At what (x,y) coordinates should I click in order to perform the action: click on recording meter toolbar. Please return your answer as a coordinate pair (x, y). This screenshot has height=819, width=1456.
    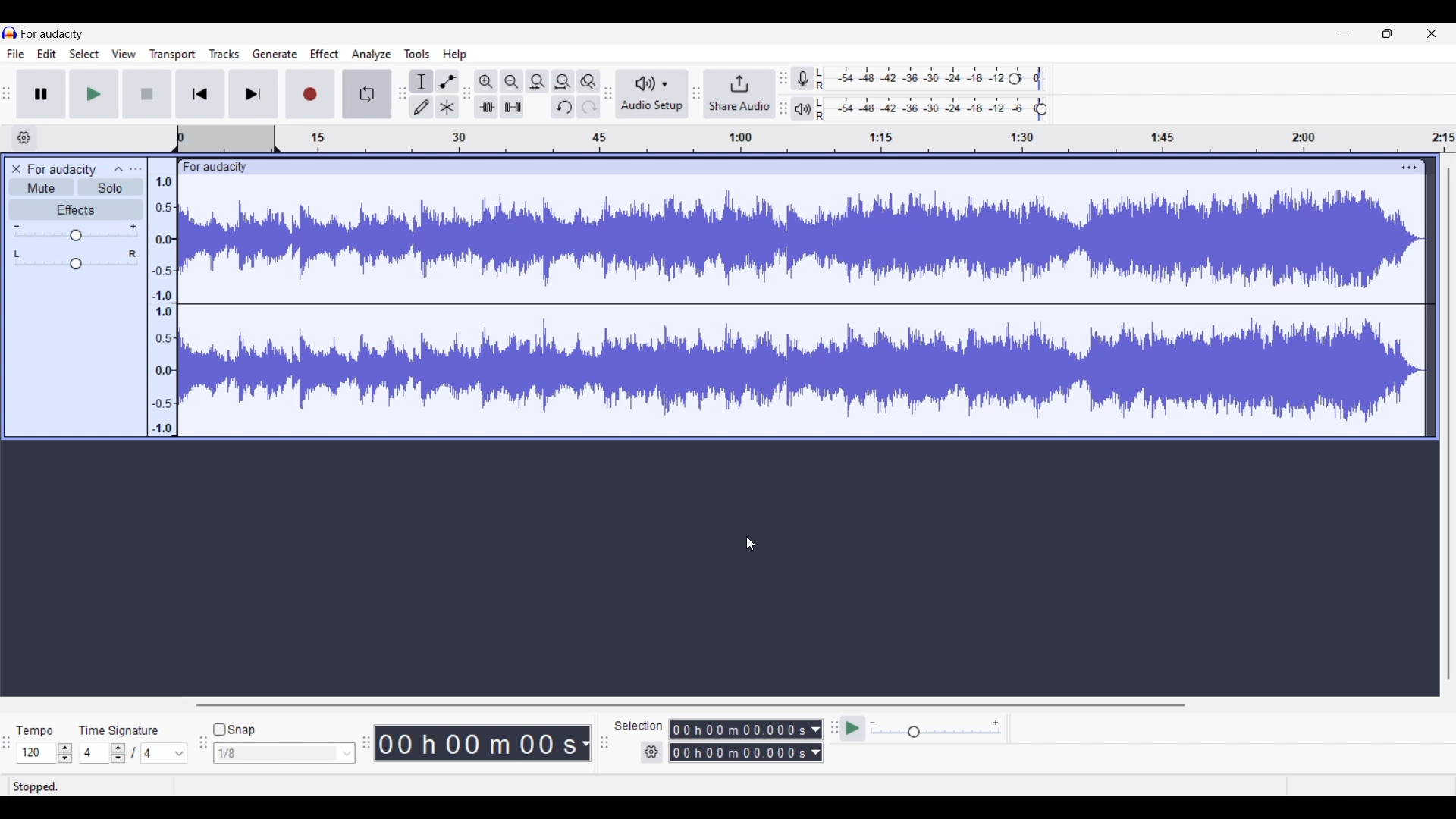
    Looking at the image, I should click on (783, 73).